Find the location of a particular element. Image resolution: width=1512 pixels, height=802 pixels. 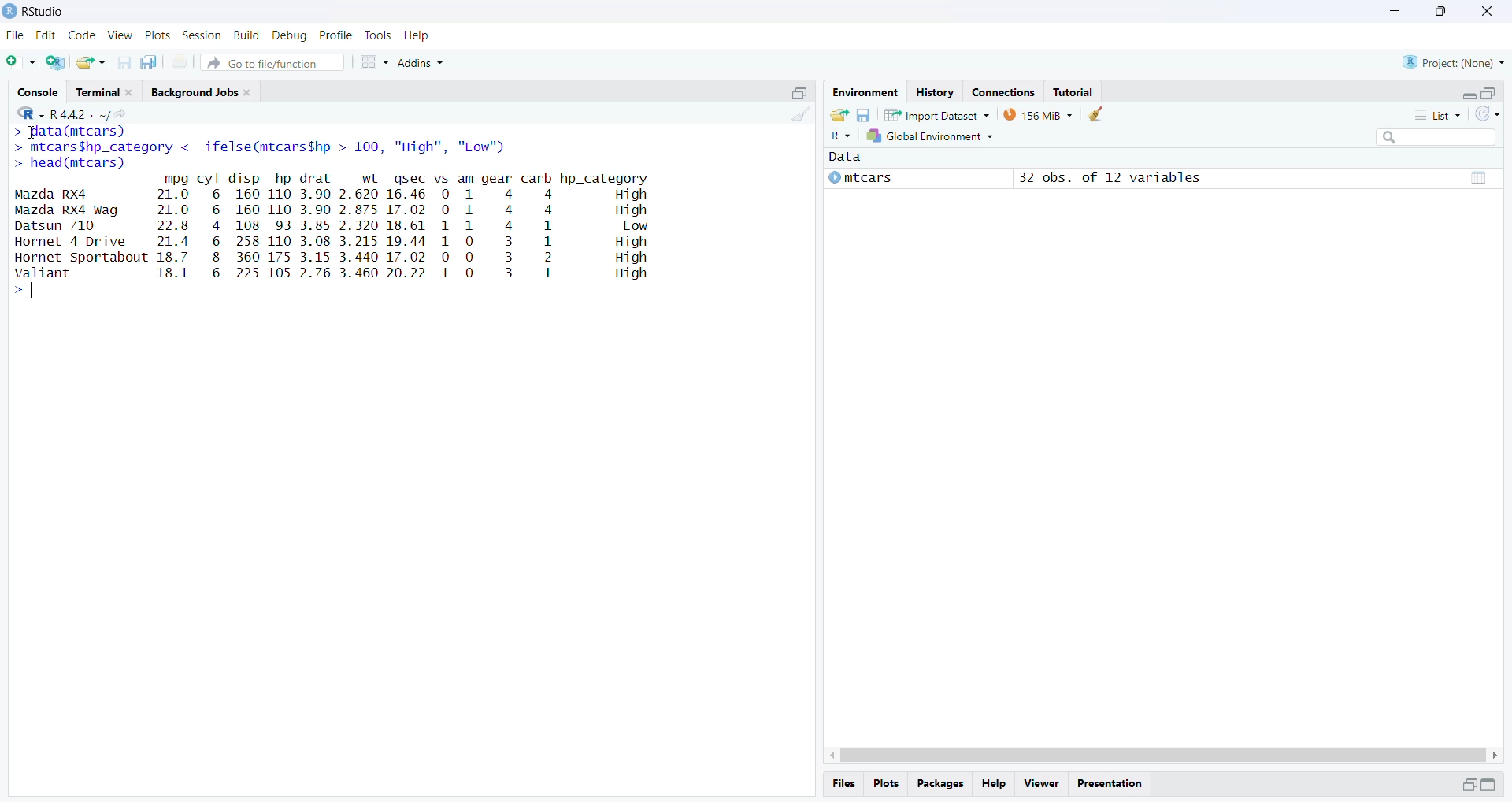

File is located at coordinates (17, 35).